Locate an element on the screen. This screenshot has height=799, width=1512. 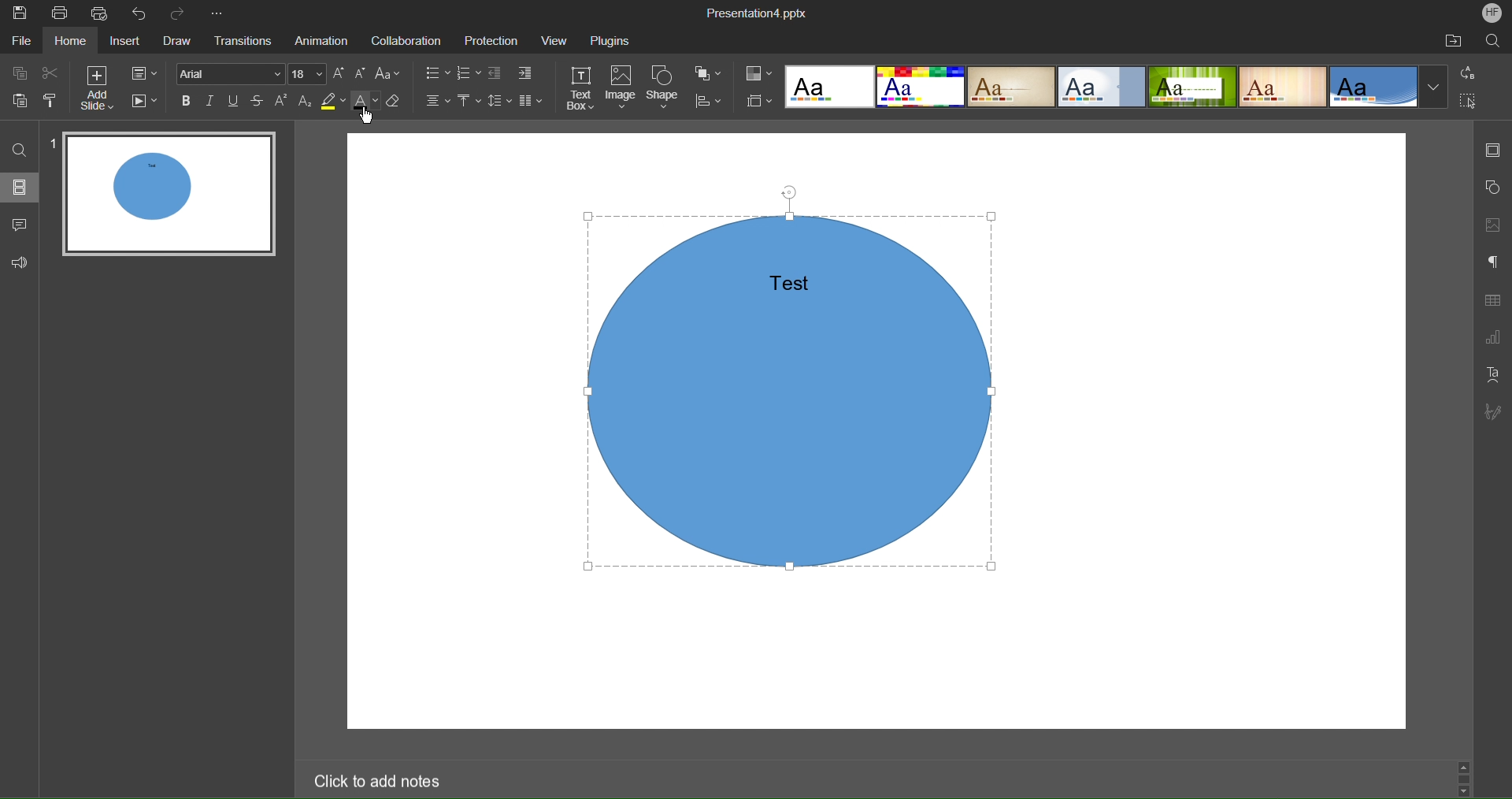
Paragraph Settings is located at coordinates (1492, 262).